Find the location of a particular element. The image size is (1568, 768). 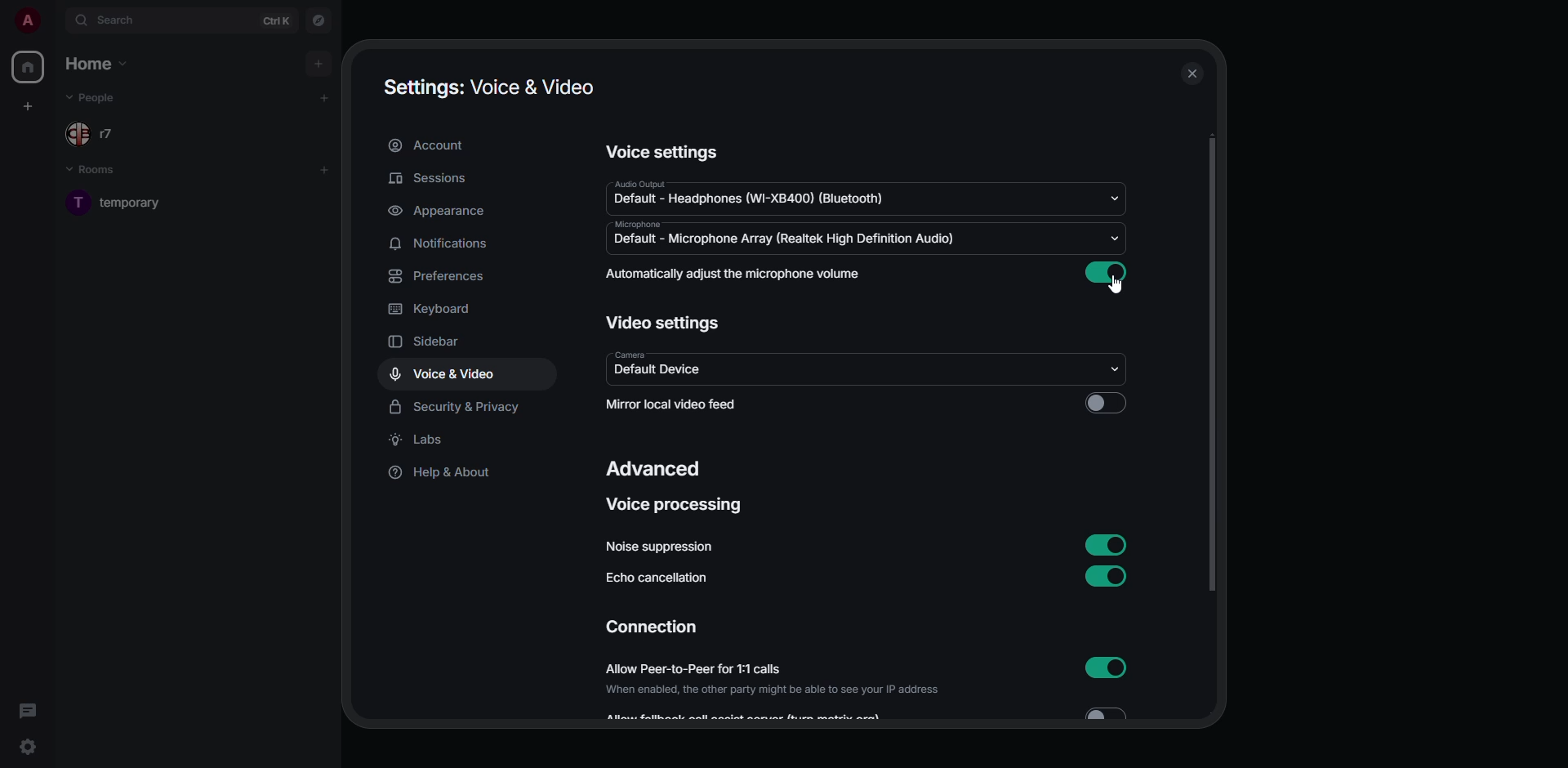

video settings is located at coordinates (662, 321).